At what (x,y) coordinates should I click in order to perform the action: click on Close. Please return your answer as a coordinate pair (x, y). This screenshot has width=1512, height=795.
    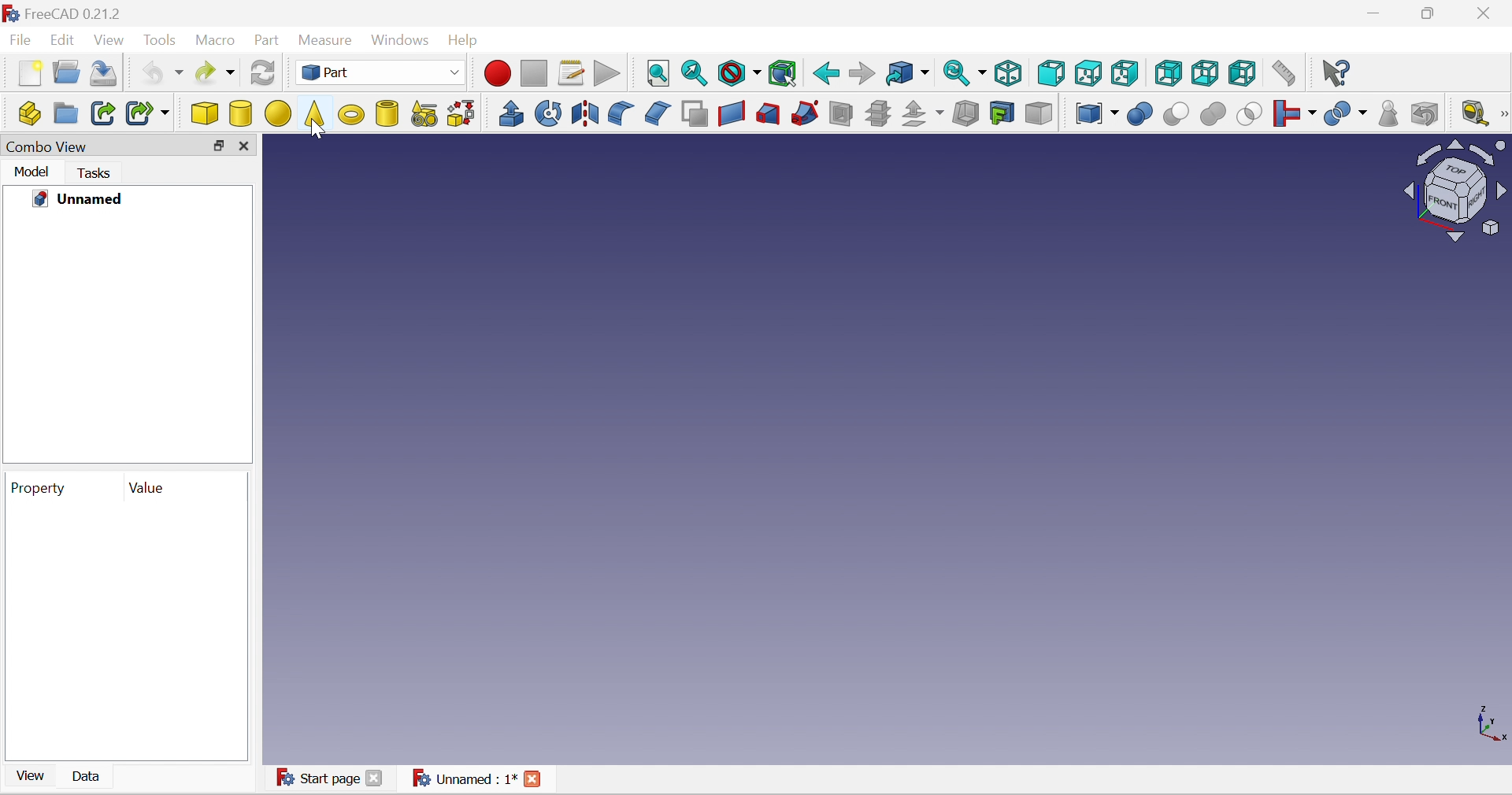
    Looking at the image, I should click on (1488, 14).